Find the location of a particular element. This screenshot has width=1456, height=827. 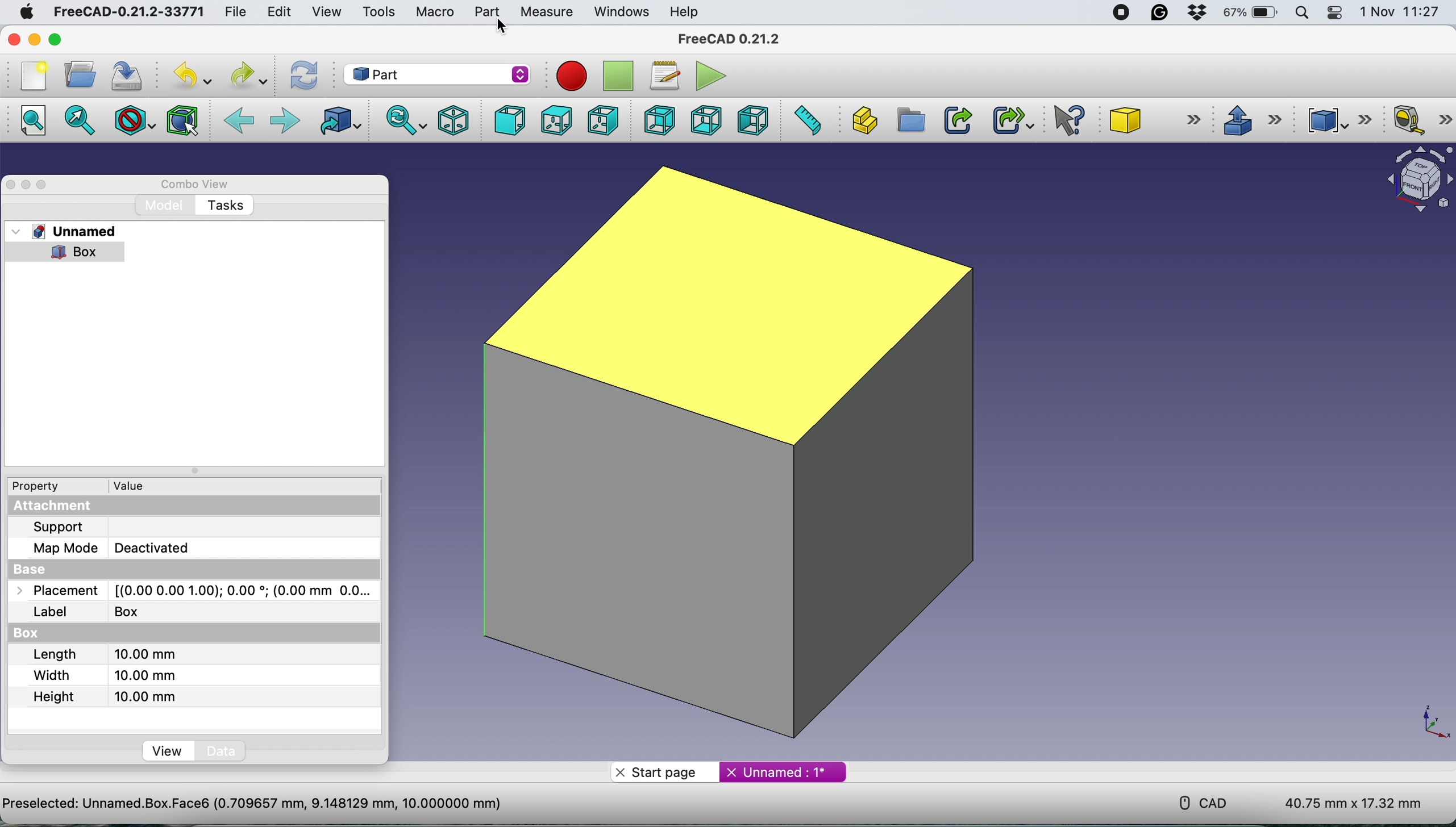

help is located at coordinates (687, 11).